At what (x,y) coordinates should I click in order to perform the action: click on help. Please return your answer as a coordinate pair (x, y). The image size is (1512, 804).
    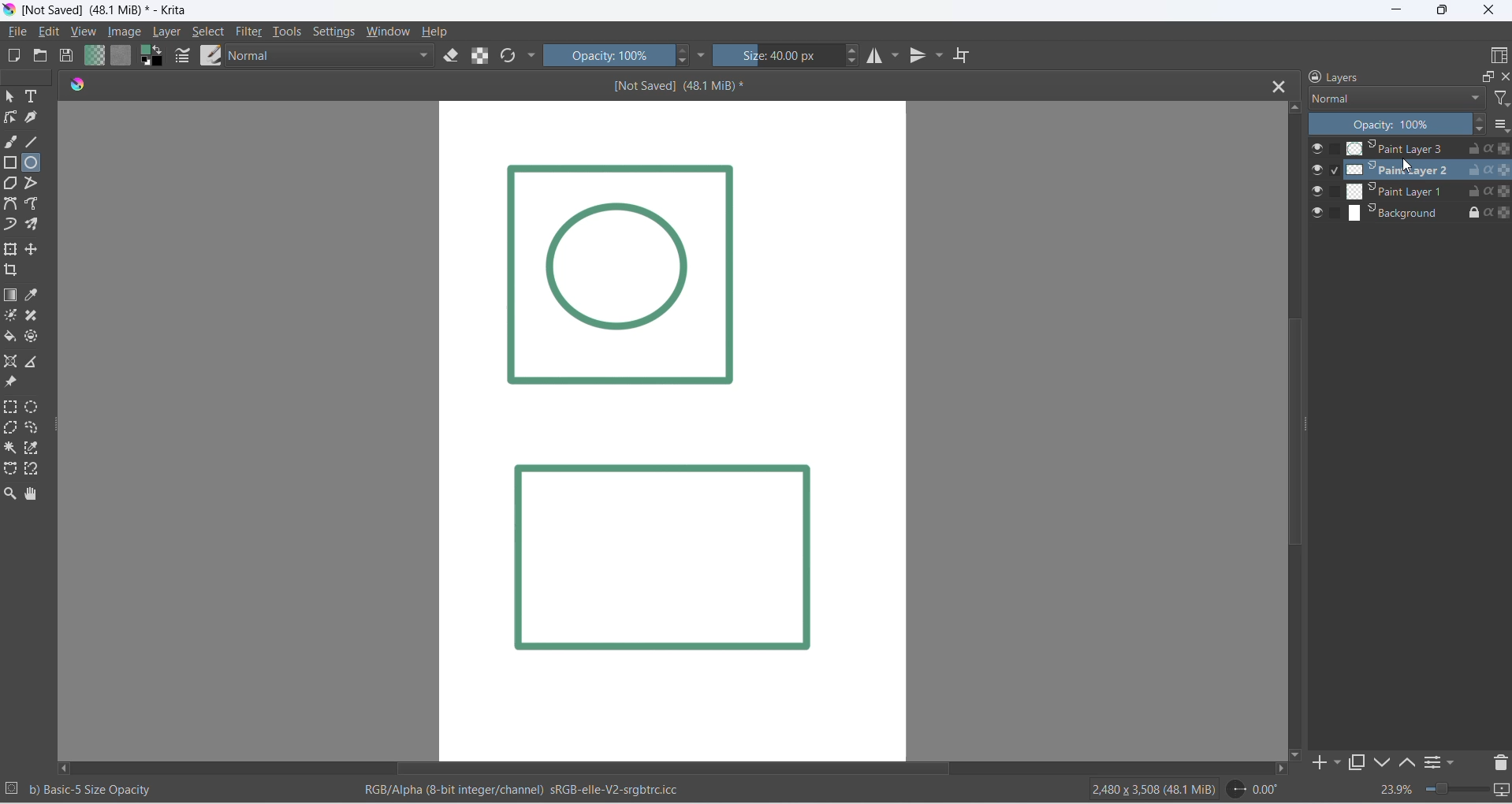
    Looking at the image, I should click on (434, 33).